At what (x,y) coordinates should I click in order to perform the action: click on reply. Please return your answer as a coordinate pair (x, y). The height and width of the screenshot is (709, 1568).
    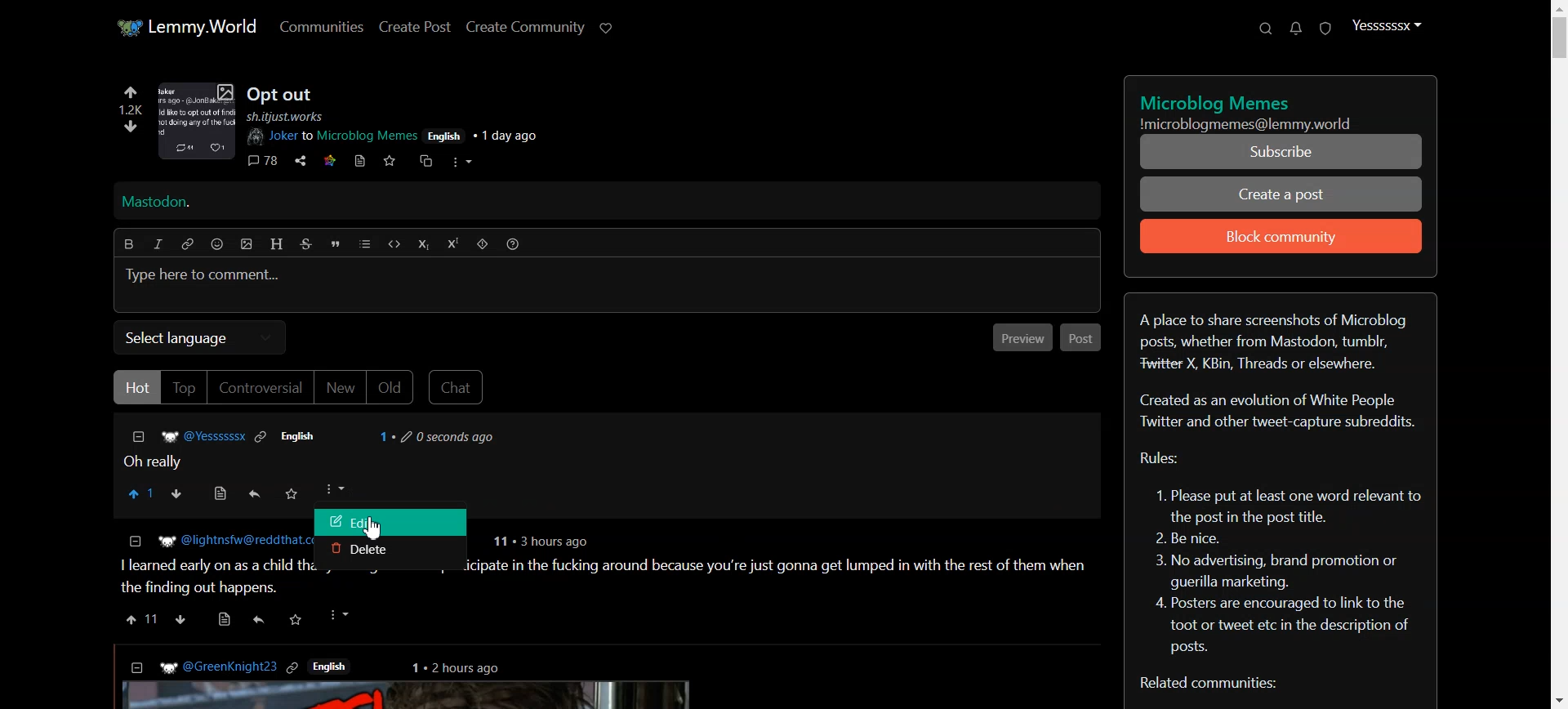
    Looking at the image, I should click on (260, 621).